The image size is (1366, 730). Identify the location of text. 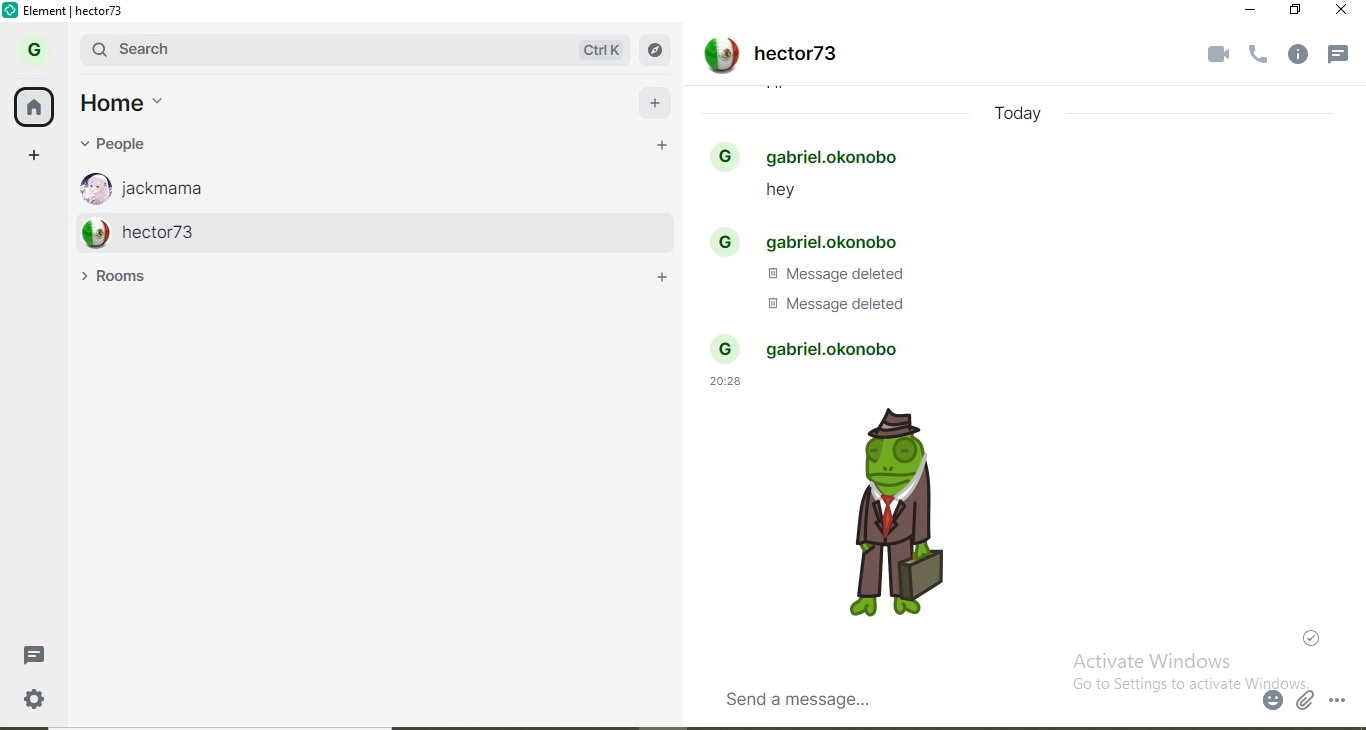
(783, 53).